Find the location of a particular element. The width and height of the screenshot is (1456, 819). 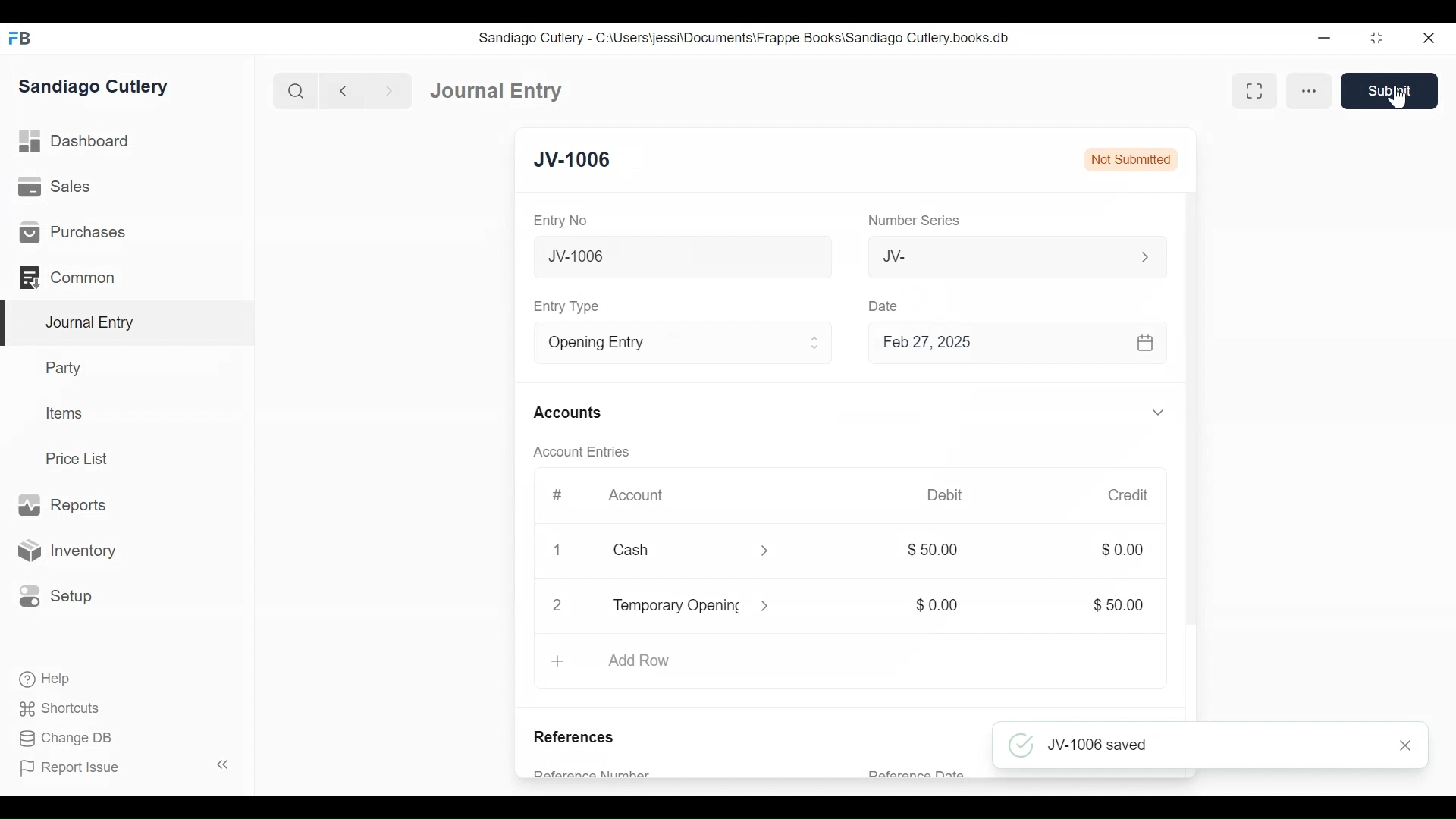

Date is located at coordinates (886, 306).